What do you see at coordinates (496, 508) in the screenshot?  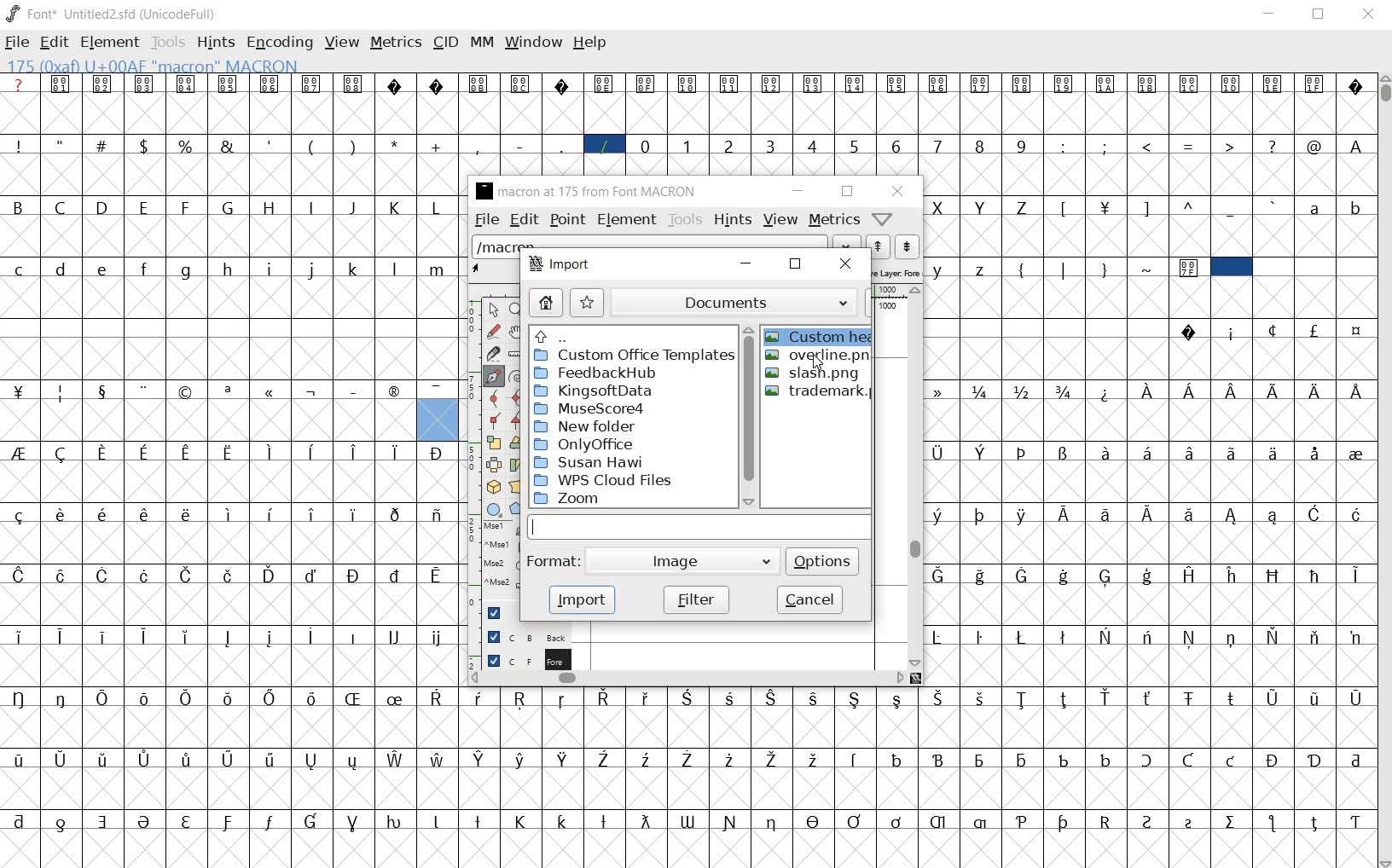 I see `rectangle/ellipse` at bounding box center [496, 508].